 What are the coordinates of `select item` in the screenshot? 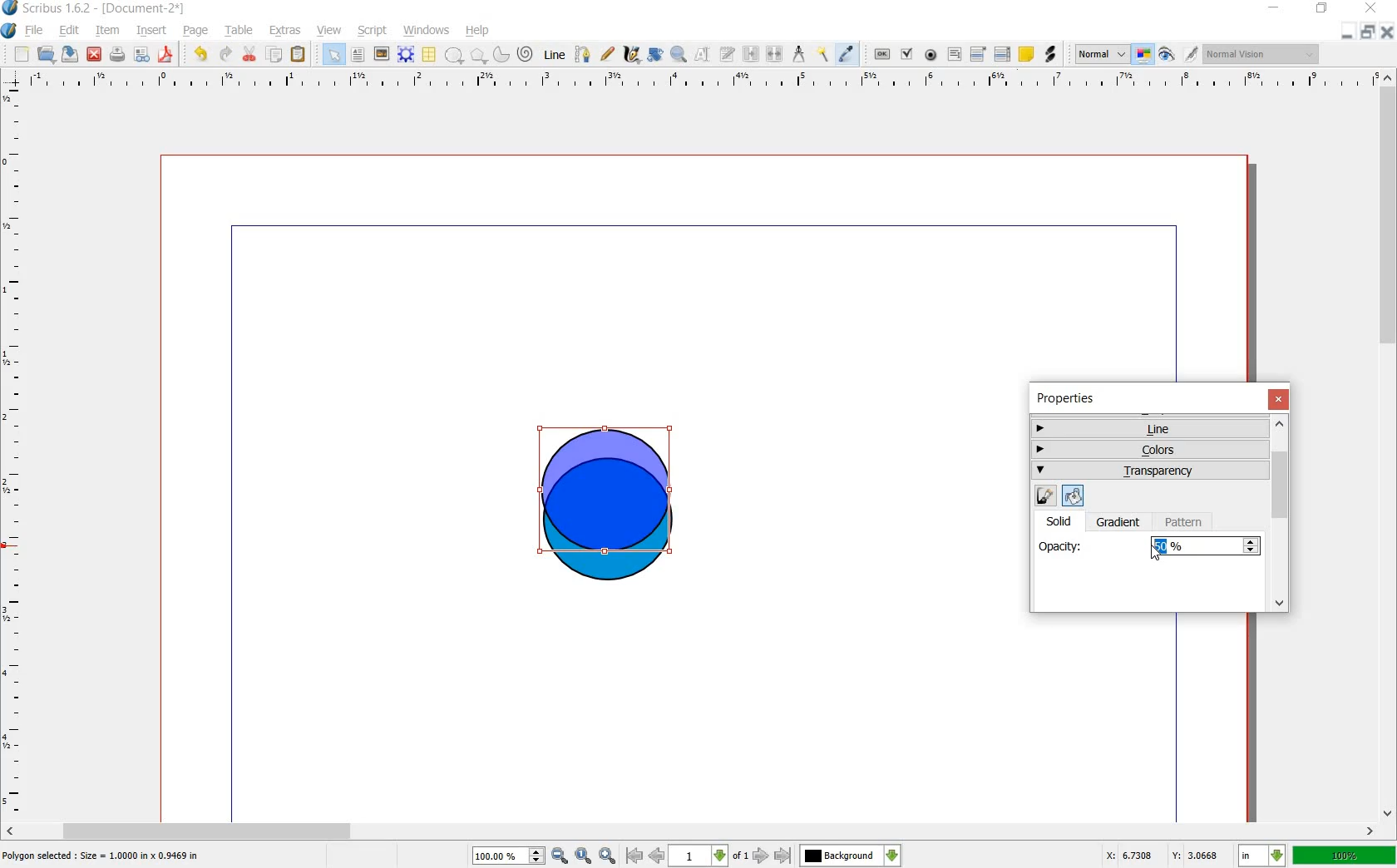 It's located at (333, 54).